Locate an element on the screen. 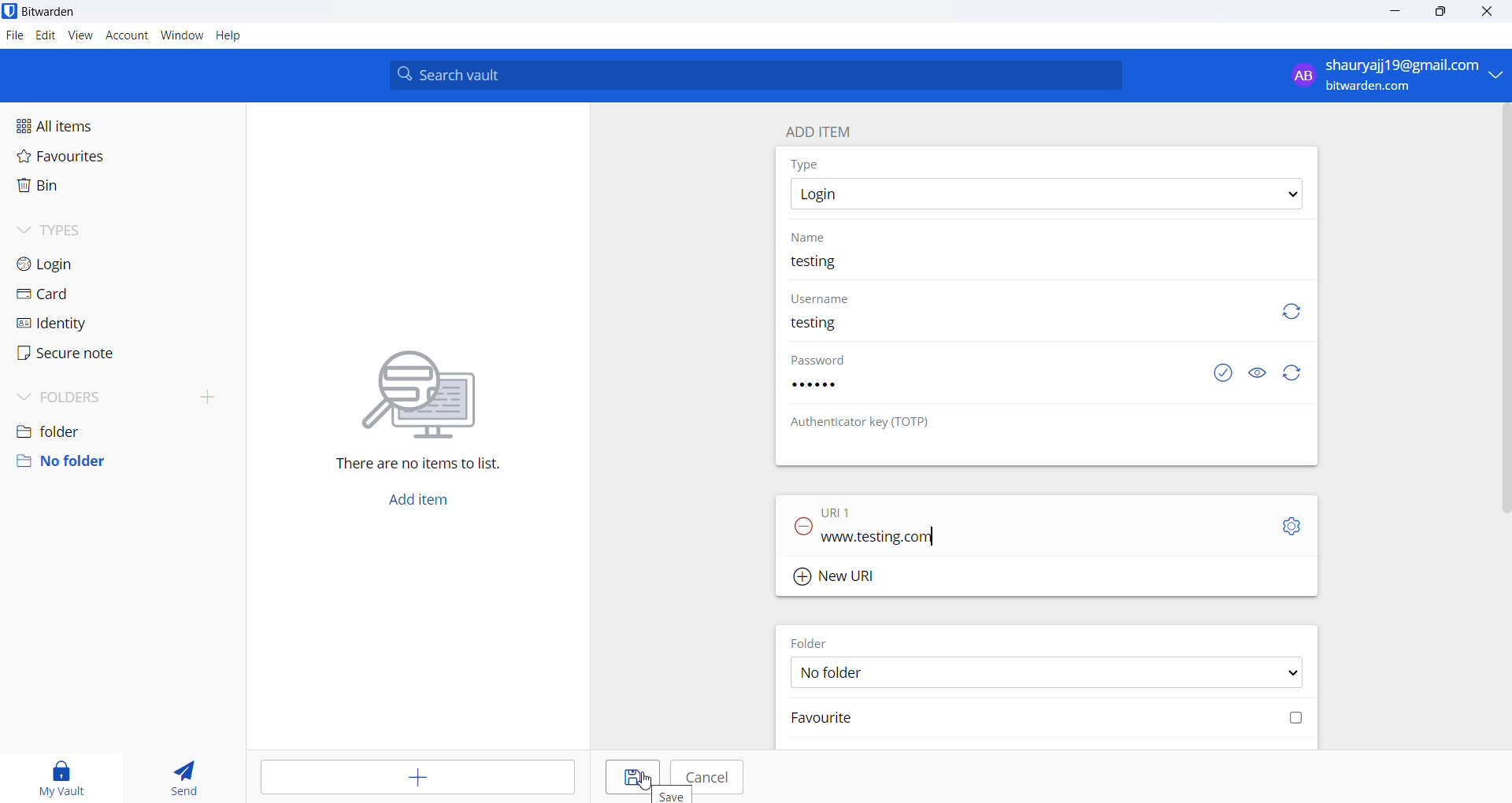 This screenshot has height=803, width=1512. OTP input box is located at coordinates (1026, 451).